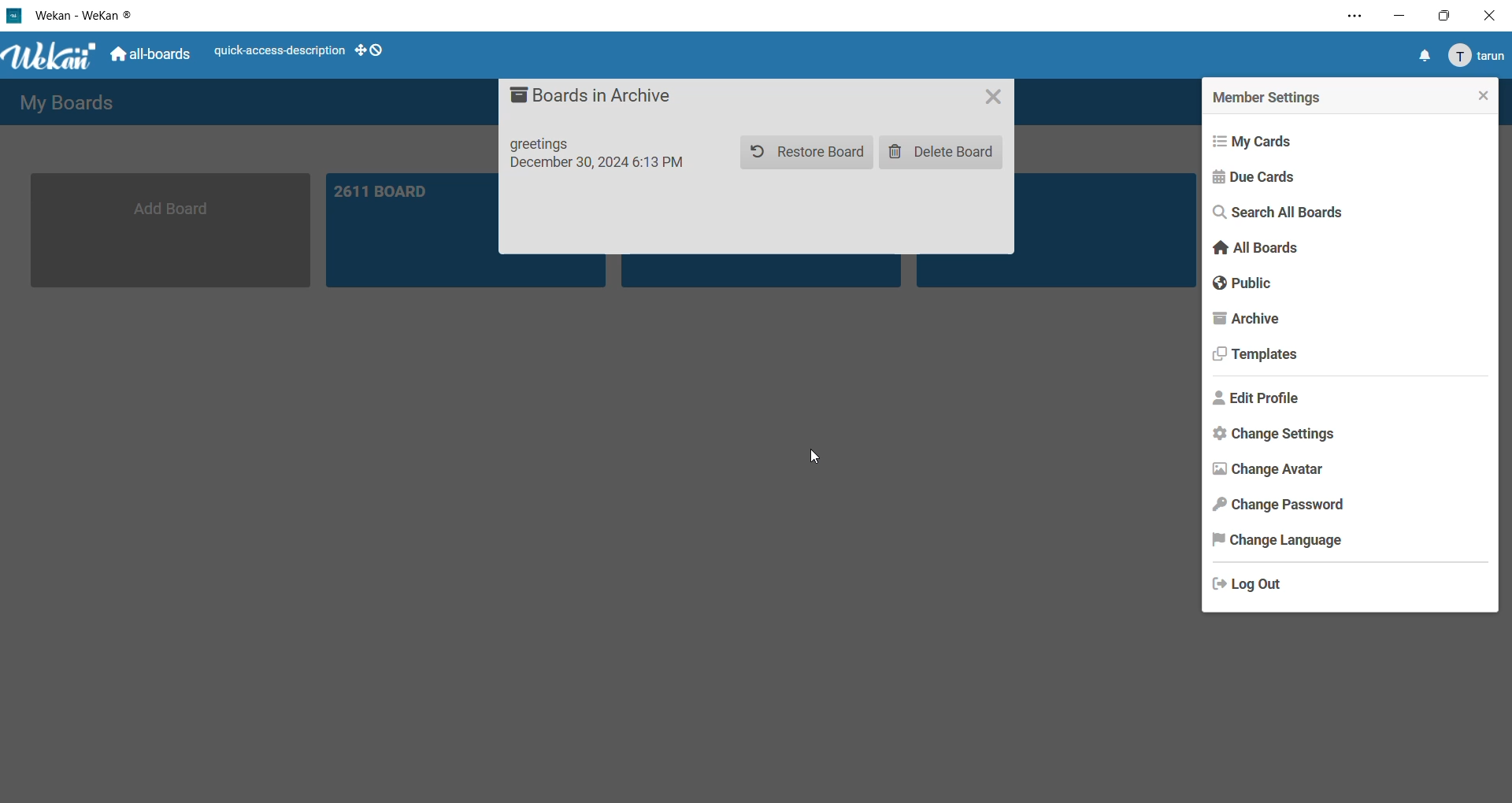 This screenshot has height=803, width=1512. Describe the element at coordinates (1247, 284) in the screenshot. I see `public` at that location.